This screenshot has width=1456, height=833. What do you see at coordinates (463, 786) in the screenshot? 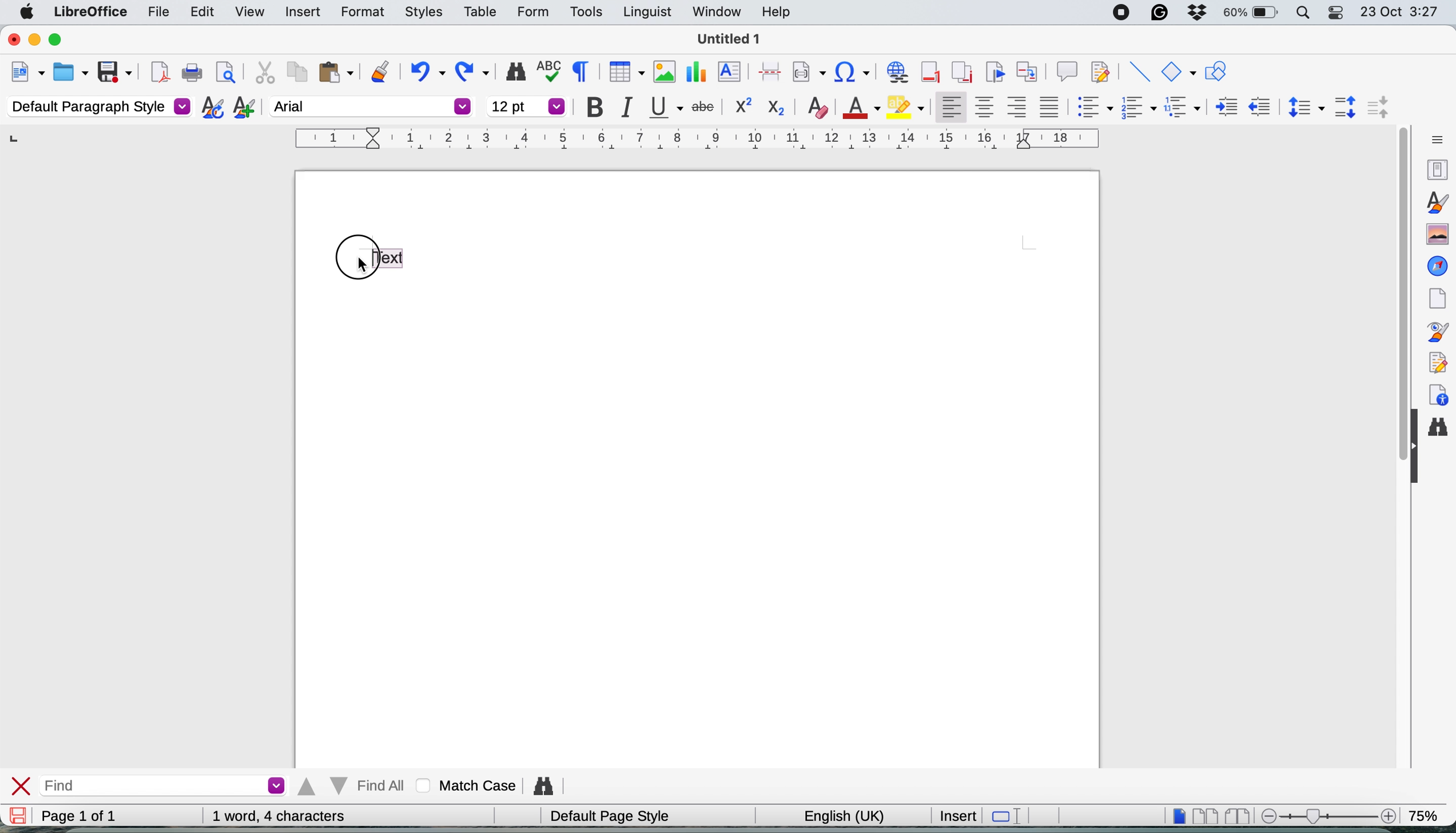
I see `match case` at bounding box center [463, 786].